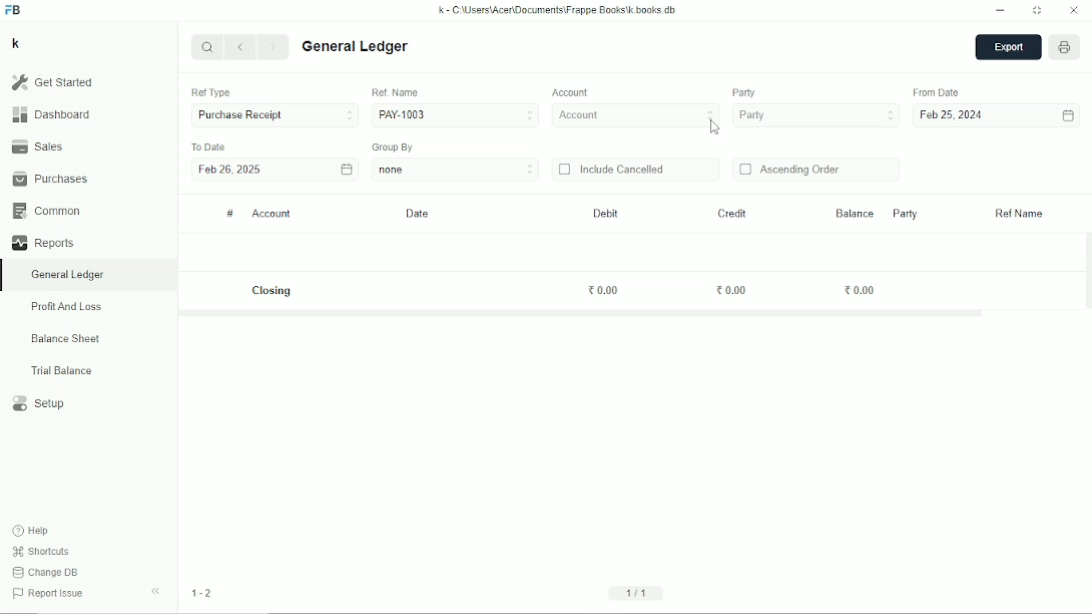  Describe the element at coordinates (66, 307) in the screenshot. I see `Profit and loss` at that location.